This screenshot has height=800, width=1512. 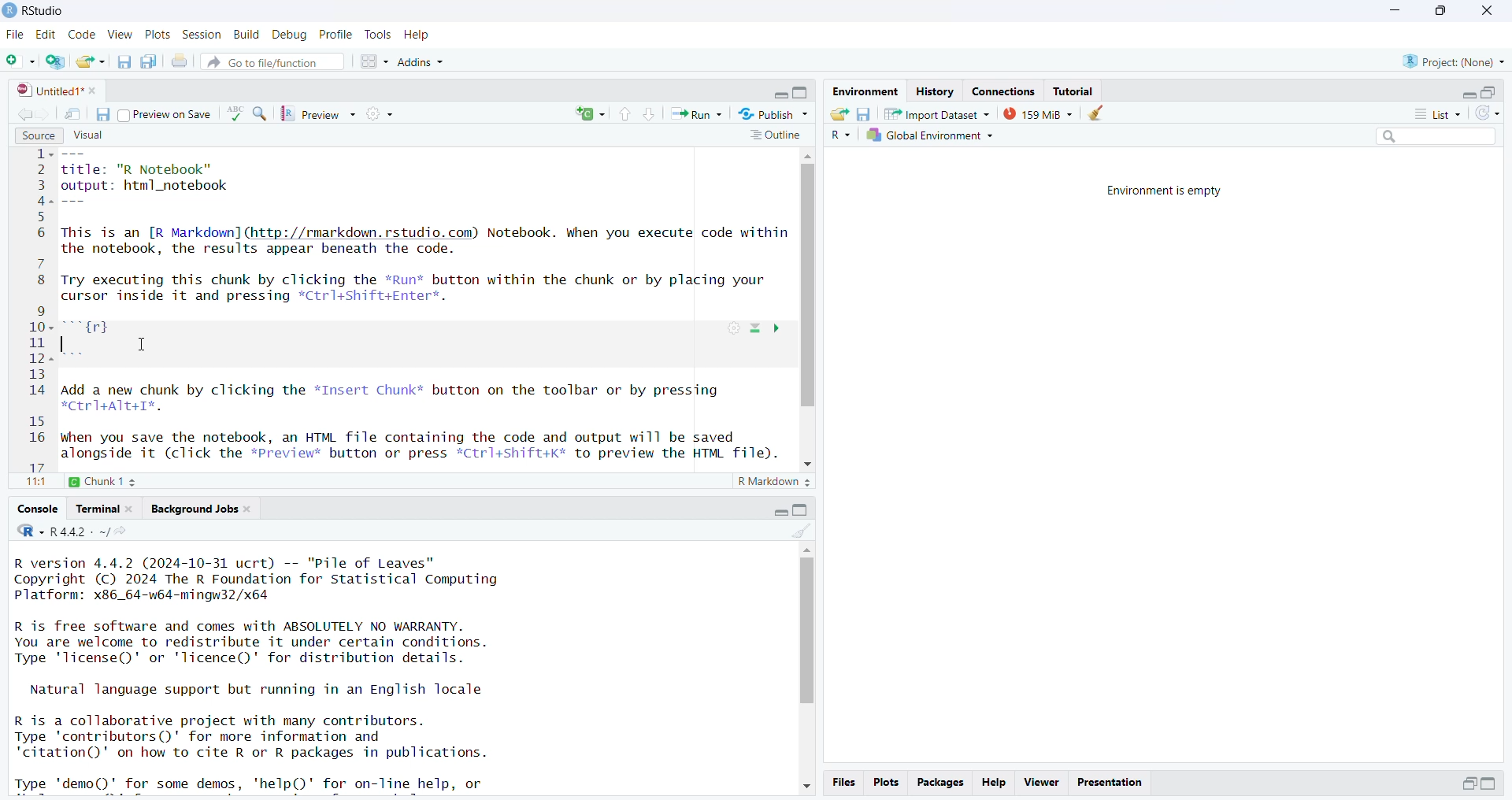 What do you see at coordinates (42, 309) in the screenshot?
I see `line numbers` at bounding box center [42, 309].